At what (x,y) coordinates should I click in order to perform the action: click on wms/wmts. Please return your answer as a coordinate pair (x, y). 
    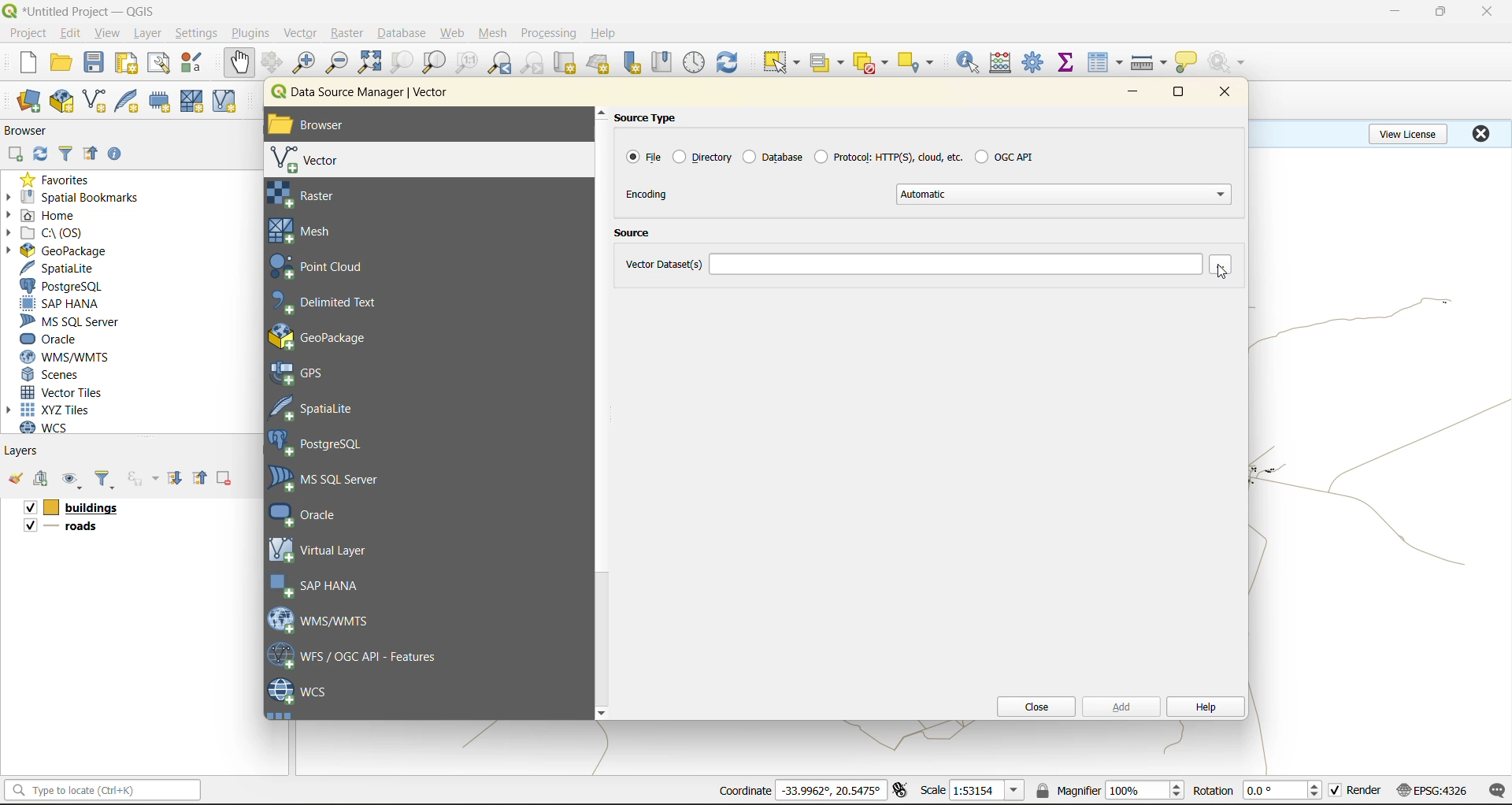
    Looking at the image, I should click on (71, 357).